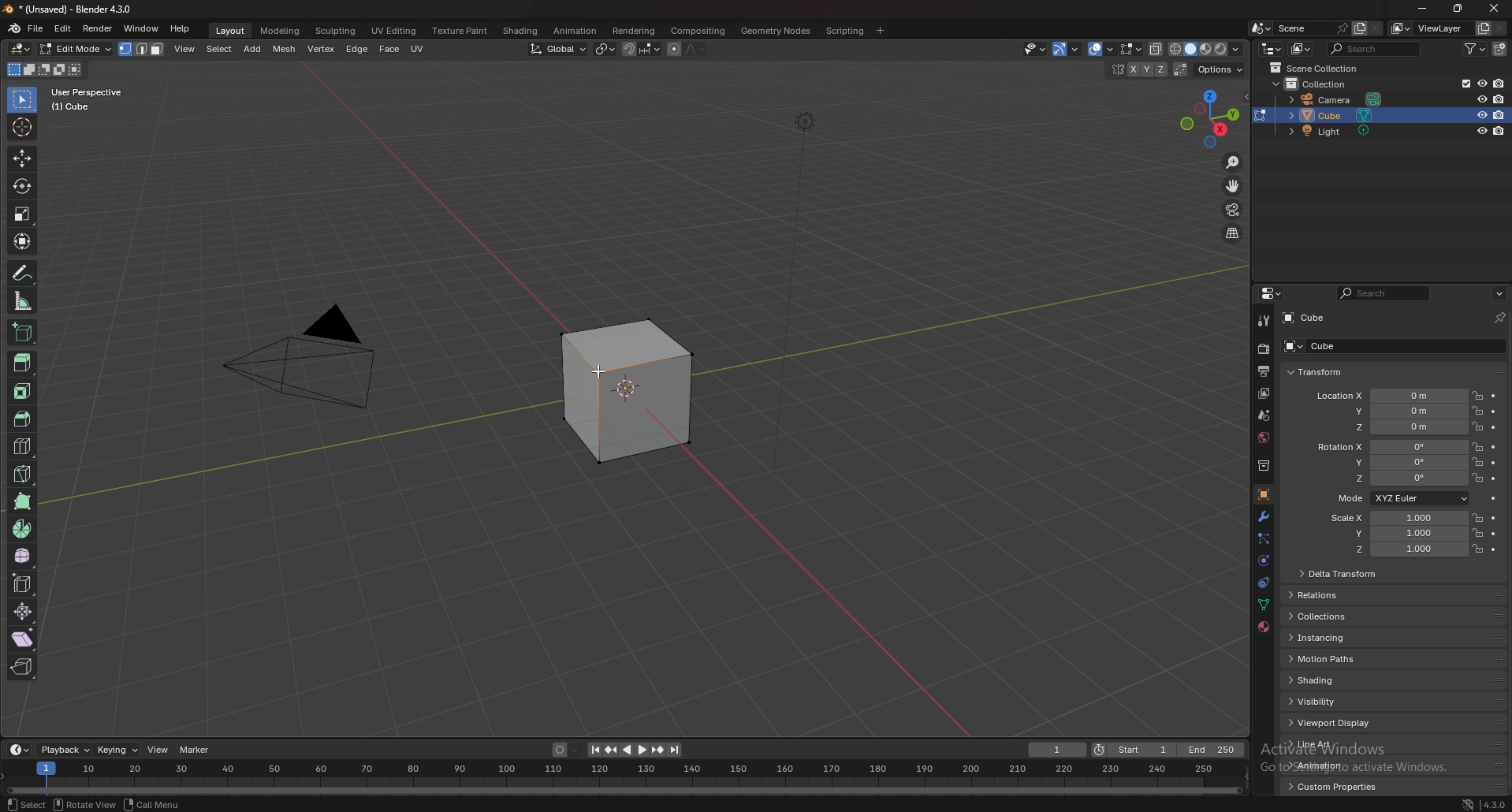 The height and width of the screenshot is (812, 1512). What do you see at coordinates (809, 122) in the screenshot?
I see `lighting` at bounding box center [809, 122].